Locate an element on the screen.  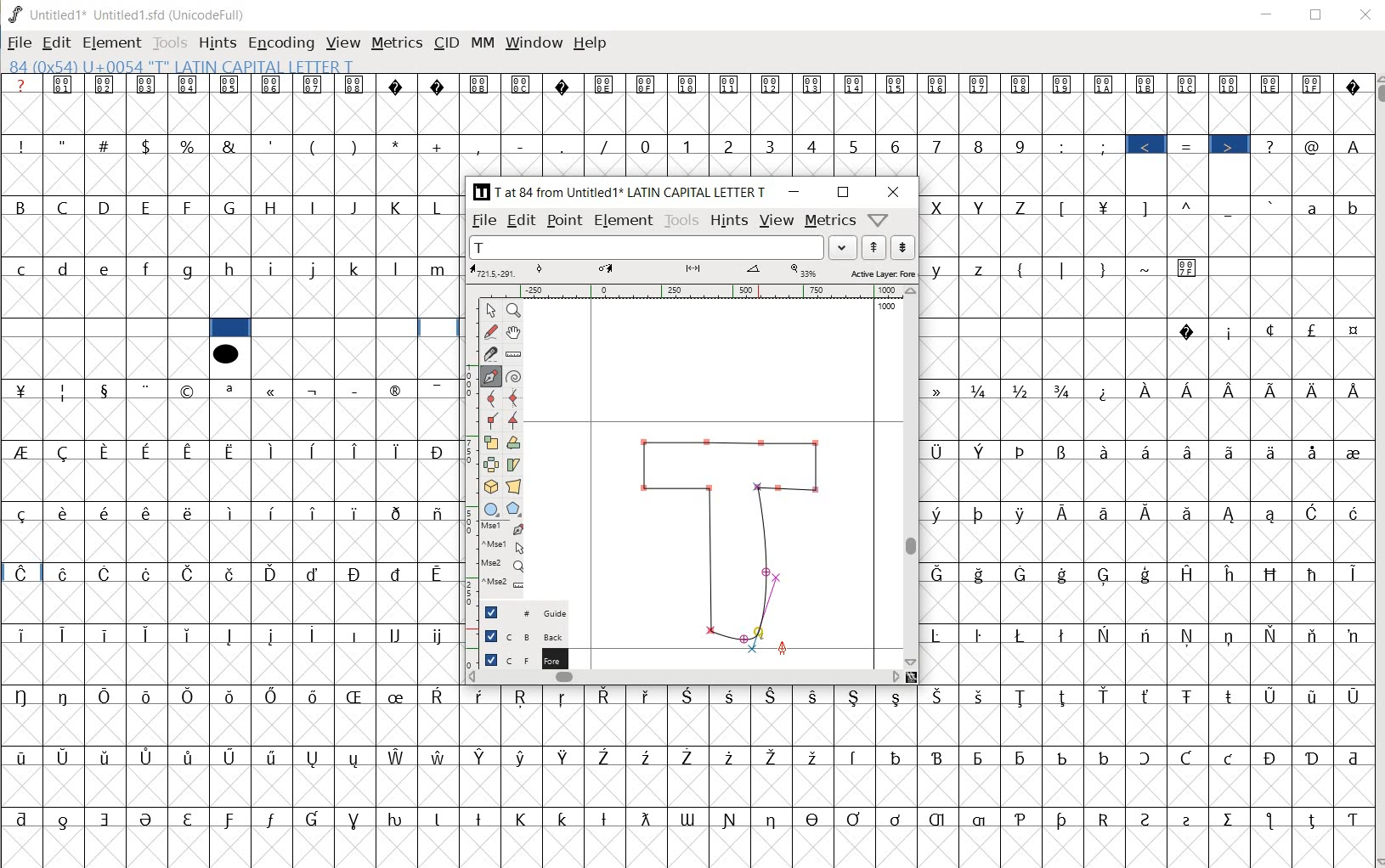
Symbol is located at coordinates (22, 636).